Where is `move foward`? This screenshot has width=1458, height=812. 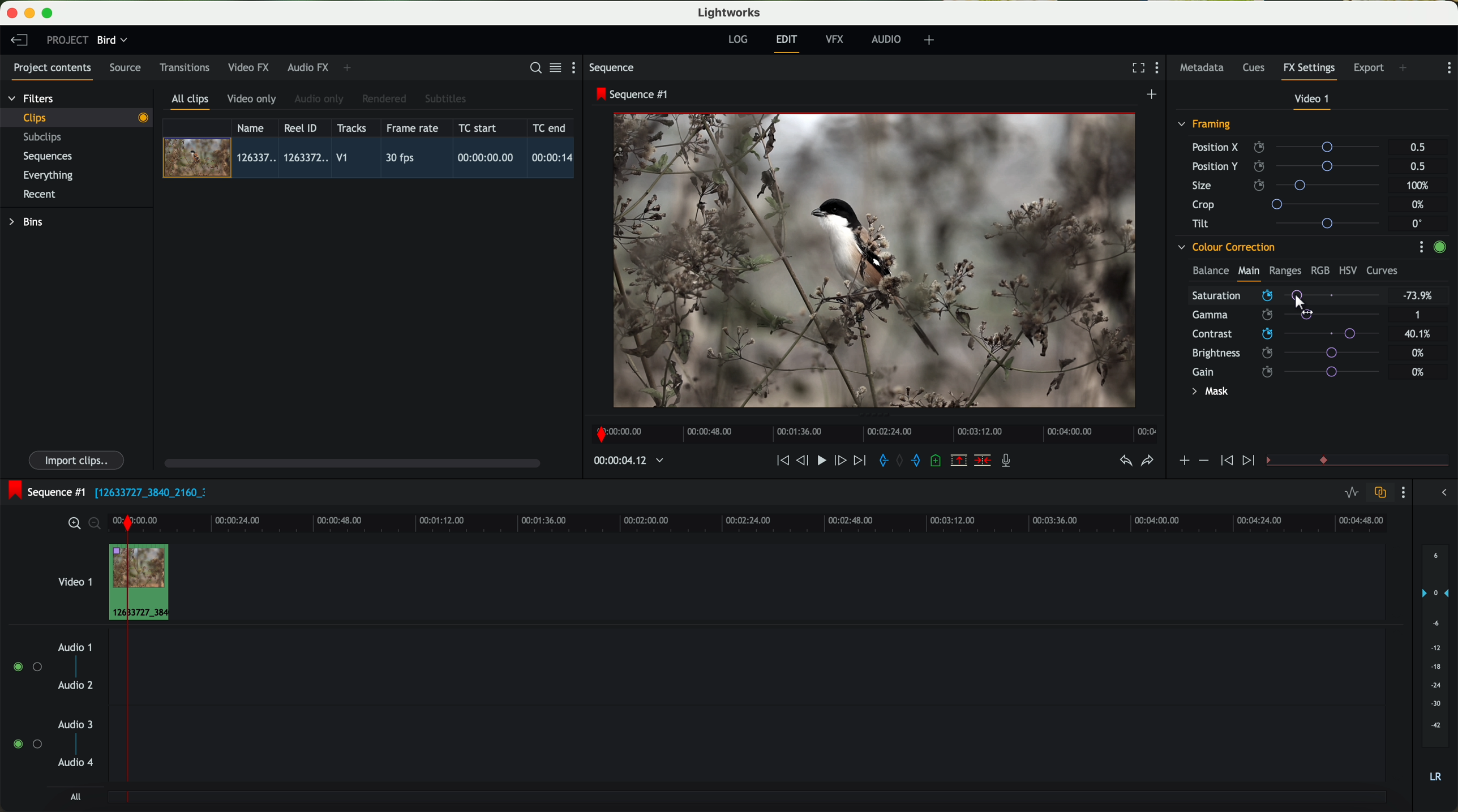 move foward is located at coordinates (859, 461).